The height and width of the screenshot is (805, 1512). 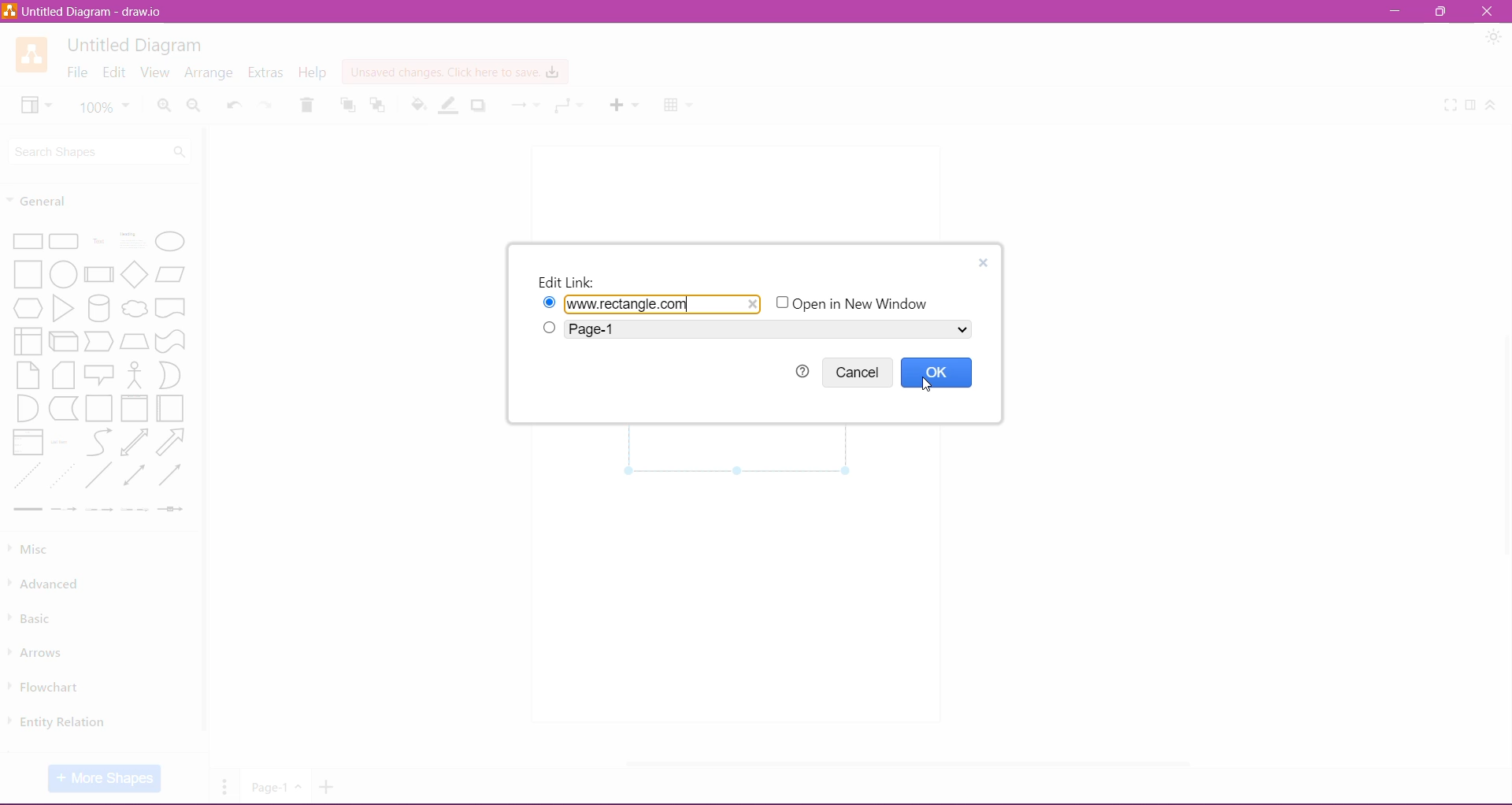 I want to click on Unsaved Changes. Click here to save., so click(x=454, y=72).